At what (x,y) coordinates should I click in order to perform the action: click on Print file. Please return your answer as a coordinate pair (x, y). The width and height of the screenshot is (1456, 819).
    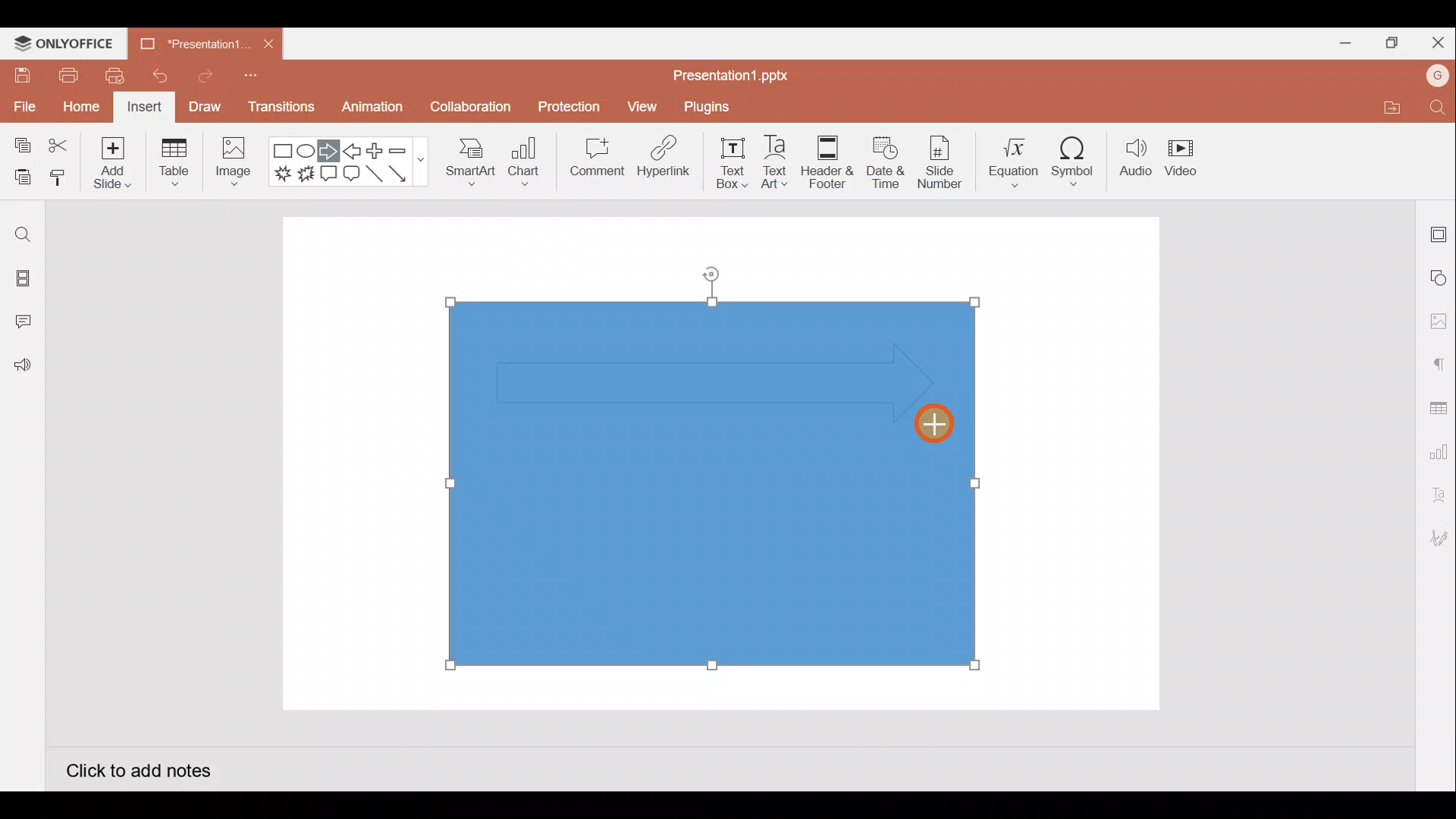
    Looking at the image, I should click on (67, 74).